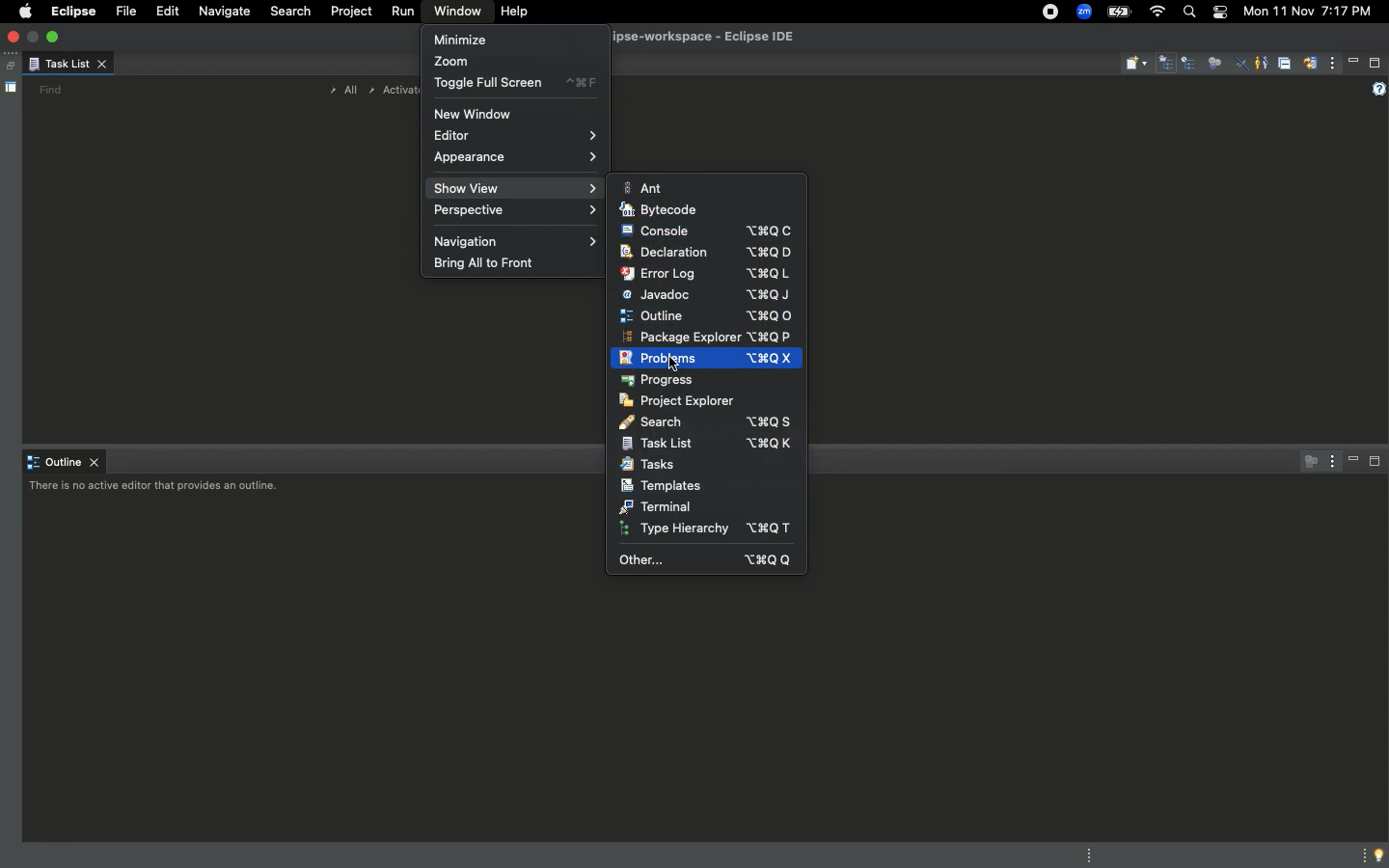 This screenshot has width=1389, height=868. What do you see at coordinates (1360, 854) in the screenshot?
I see `more` at bounding box center [1360, 854].